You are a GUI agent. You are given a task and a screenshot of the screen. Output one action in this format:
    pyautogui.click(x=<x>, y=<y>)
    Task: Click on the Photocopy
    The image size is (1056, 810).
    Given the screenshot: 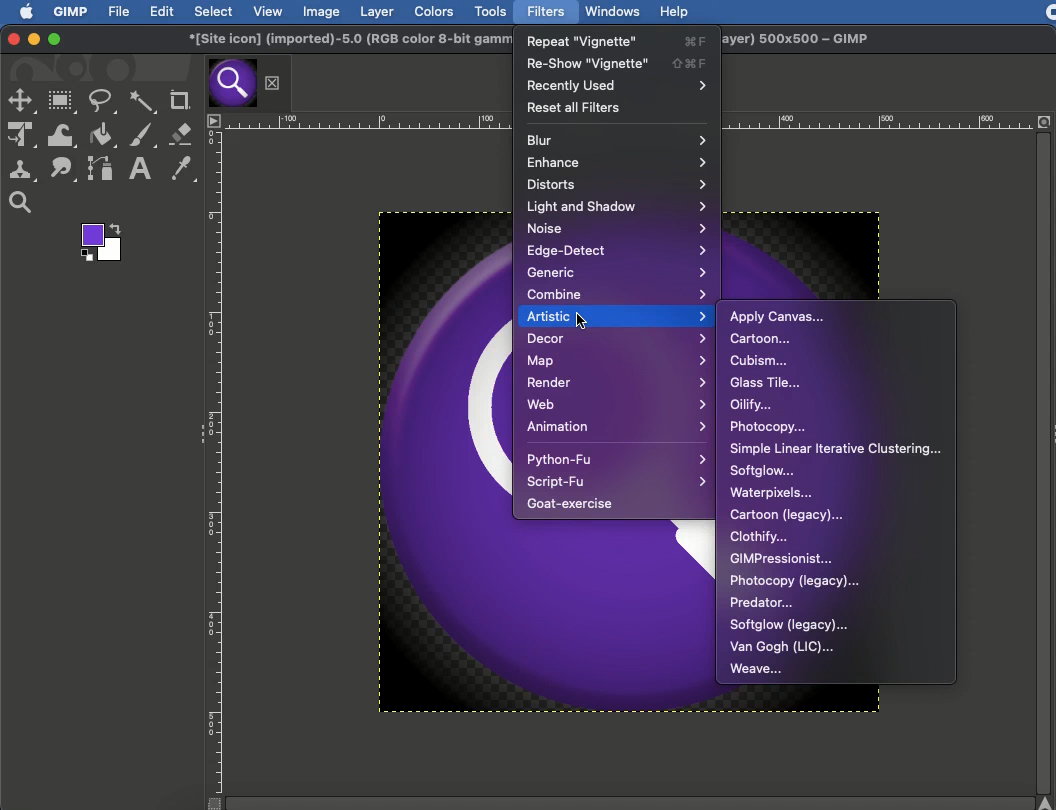 What is the action you would take?
    pyautogui.click(x=768, y=428)
    